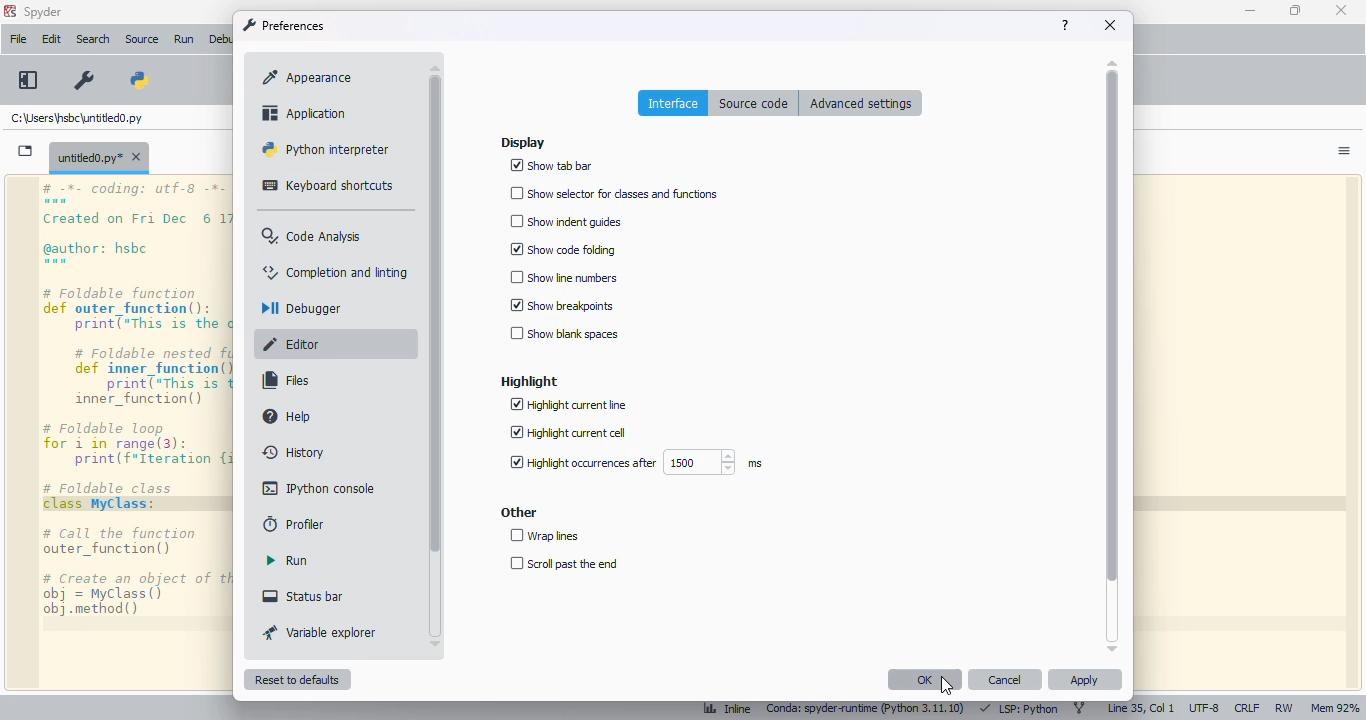 The height and width of the screenshot is (720, 1366). Describe the element at coordinates (1065, 25) in the screenshot. I see `help` at that location.